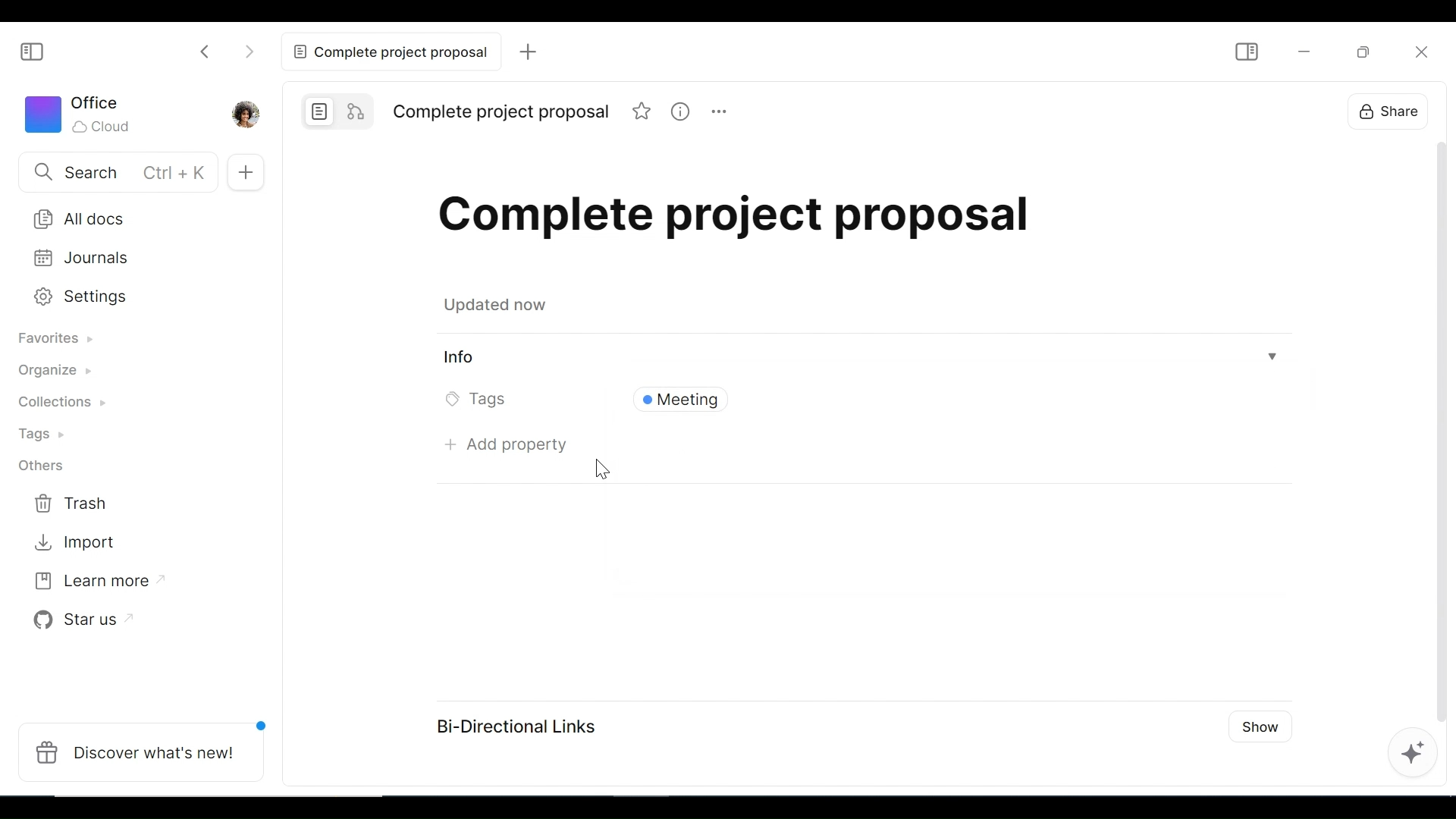 The height and width of the screenshot is (819, 1456). Describe the element at coordinates (49, 436) in the screenshot. I see `Tags` at that location.